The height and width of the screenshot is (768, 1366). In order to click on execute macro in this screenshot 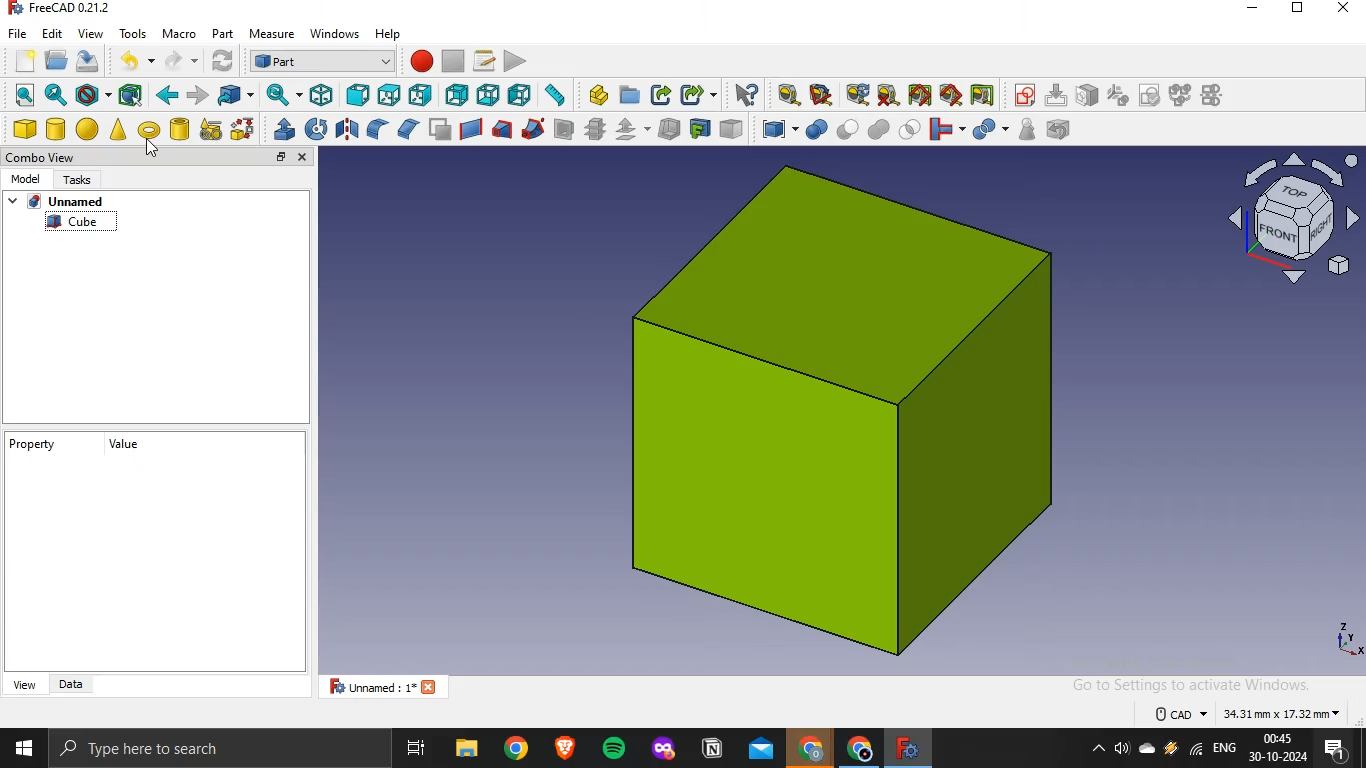, I will do `click(513, 61)`.